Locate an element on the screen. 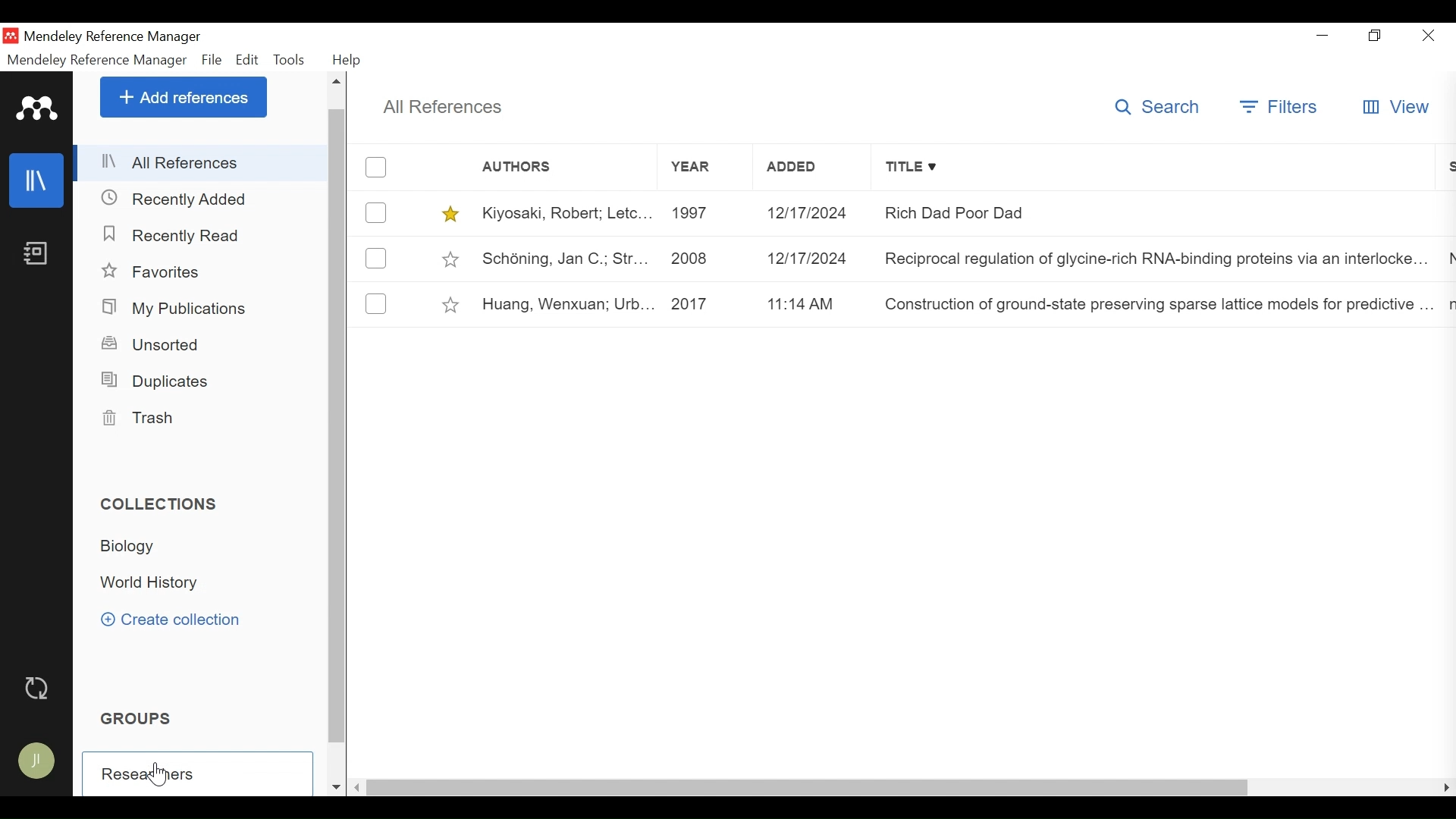 This screenshot has height=819, width=1456. 12/12/2024 is located at coordinates (812, 213).